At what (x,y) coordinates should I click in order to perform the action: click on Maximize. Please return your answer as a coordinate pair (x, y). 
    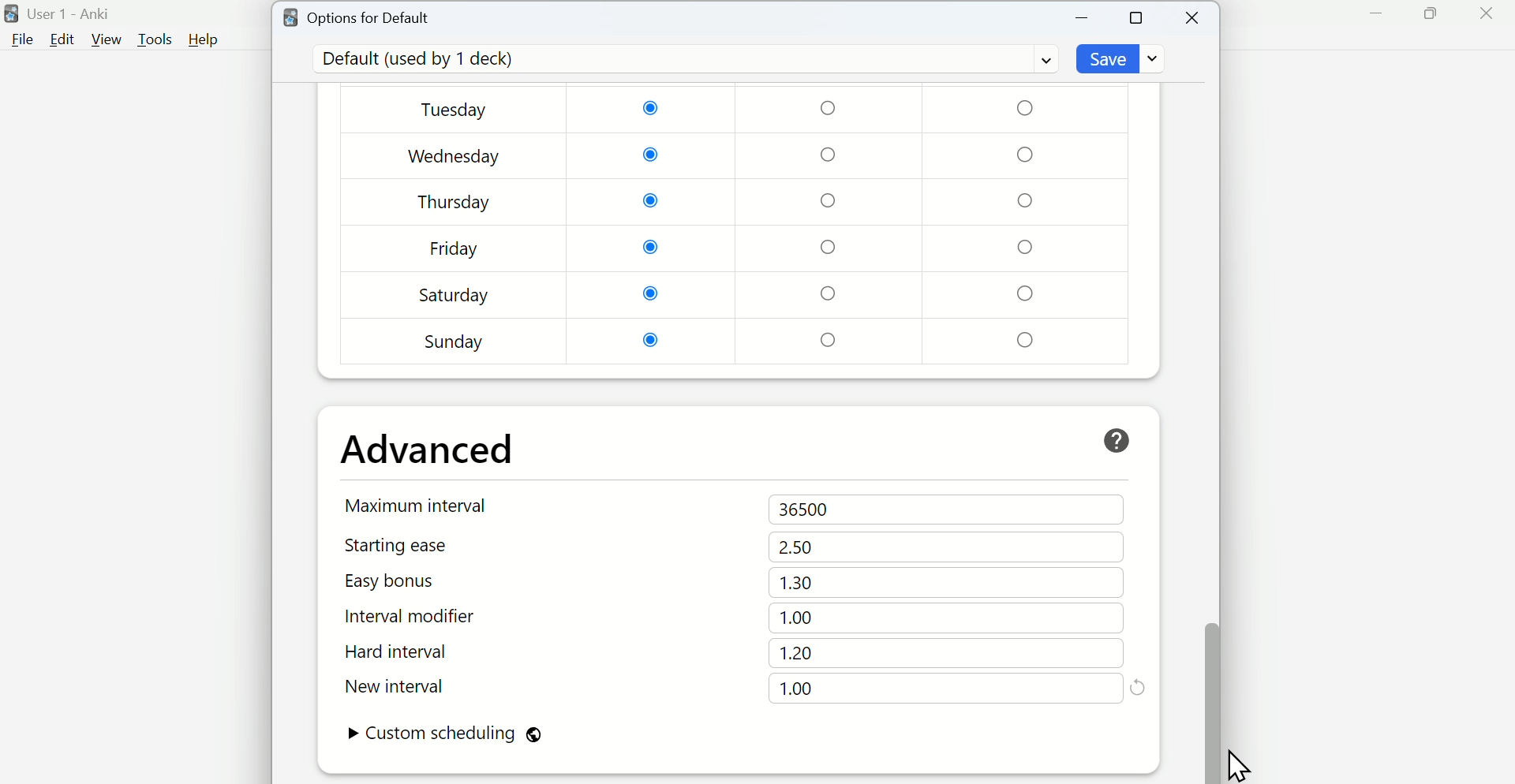
    Looking at the image, I should click on (1137, 17).